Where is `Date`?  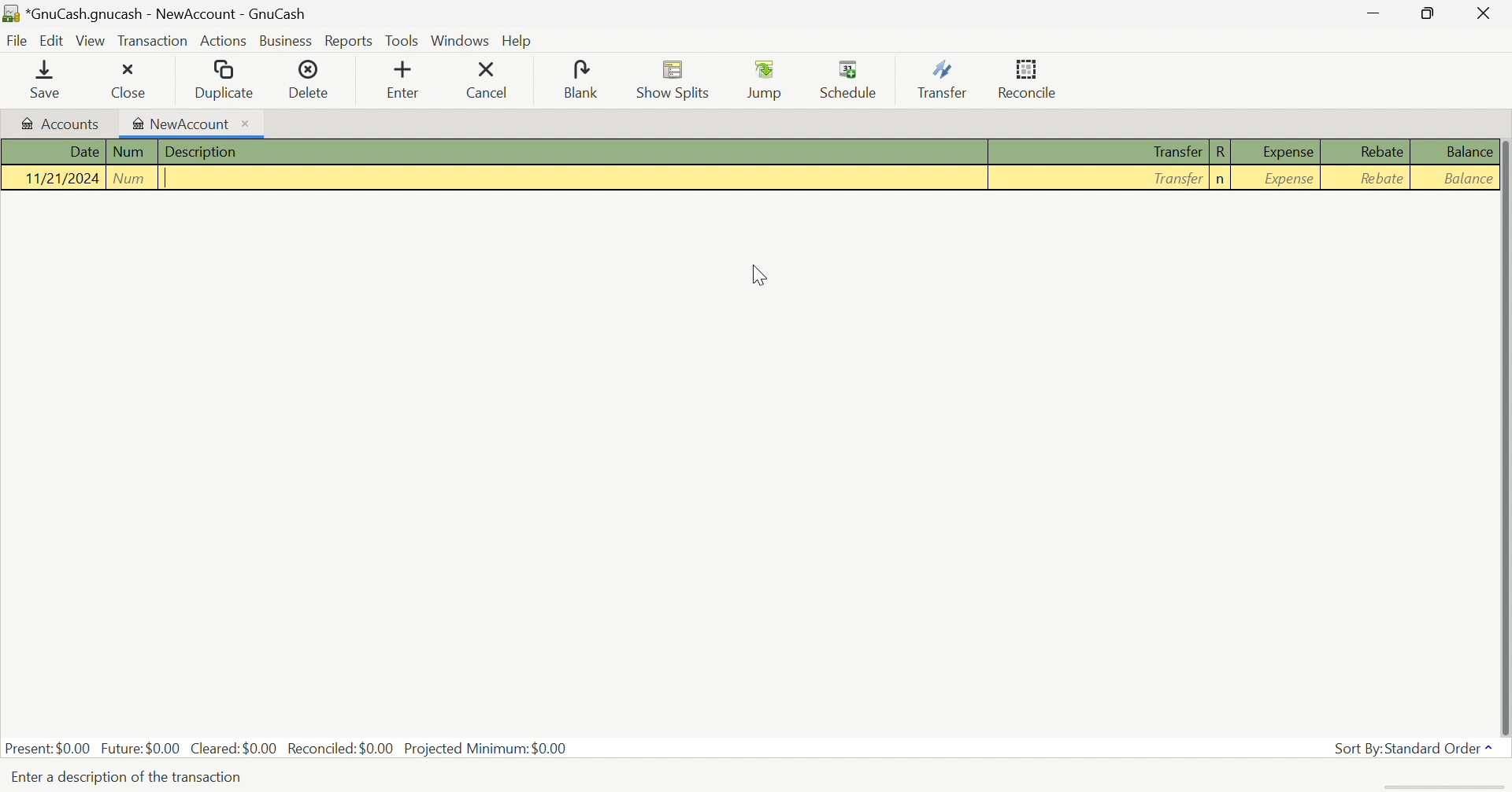 Date is located at coordinates (84, 152).